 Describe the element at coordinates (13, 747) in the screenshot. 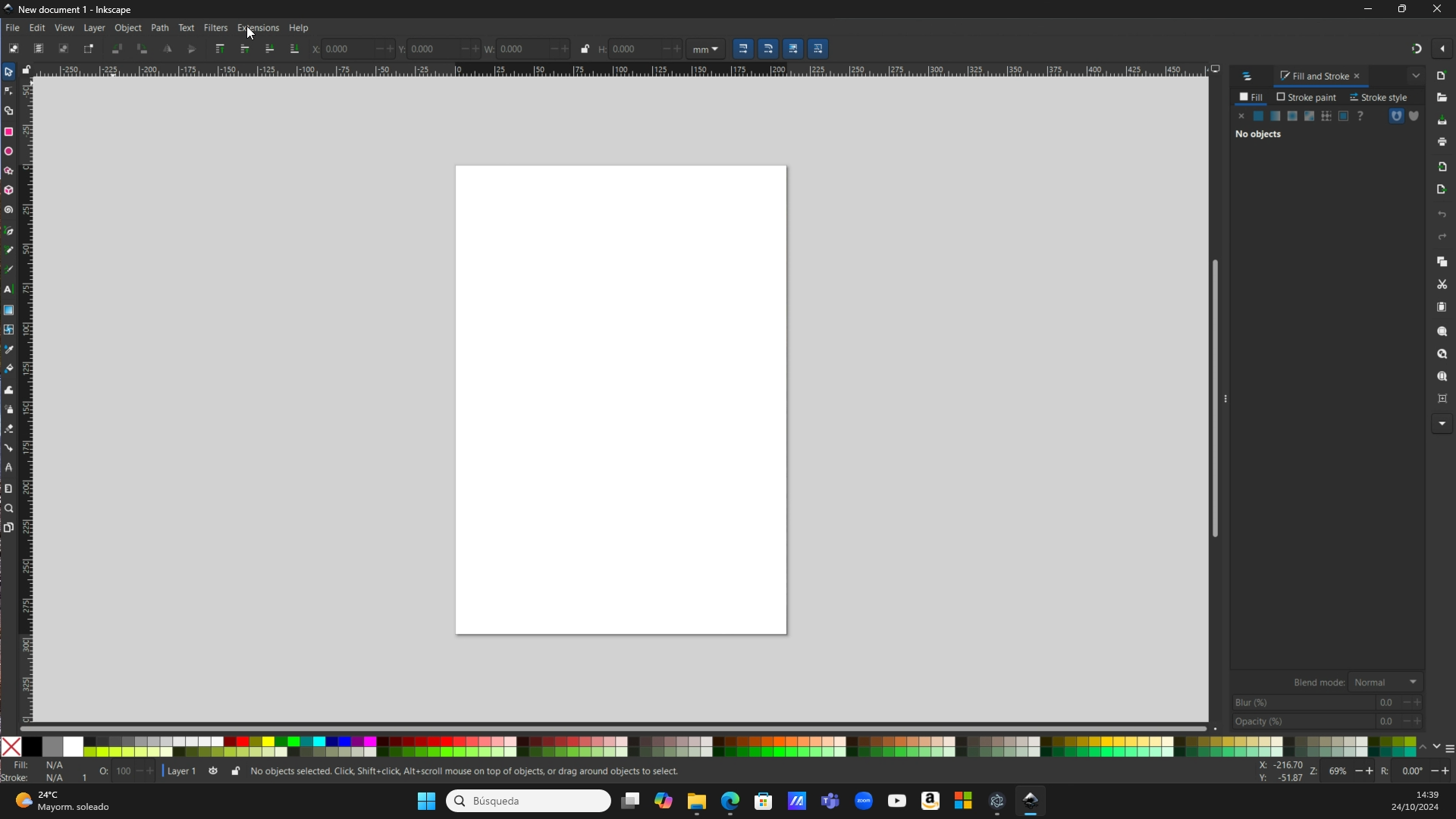

I see `Close` at that location.